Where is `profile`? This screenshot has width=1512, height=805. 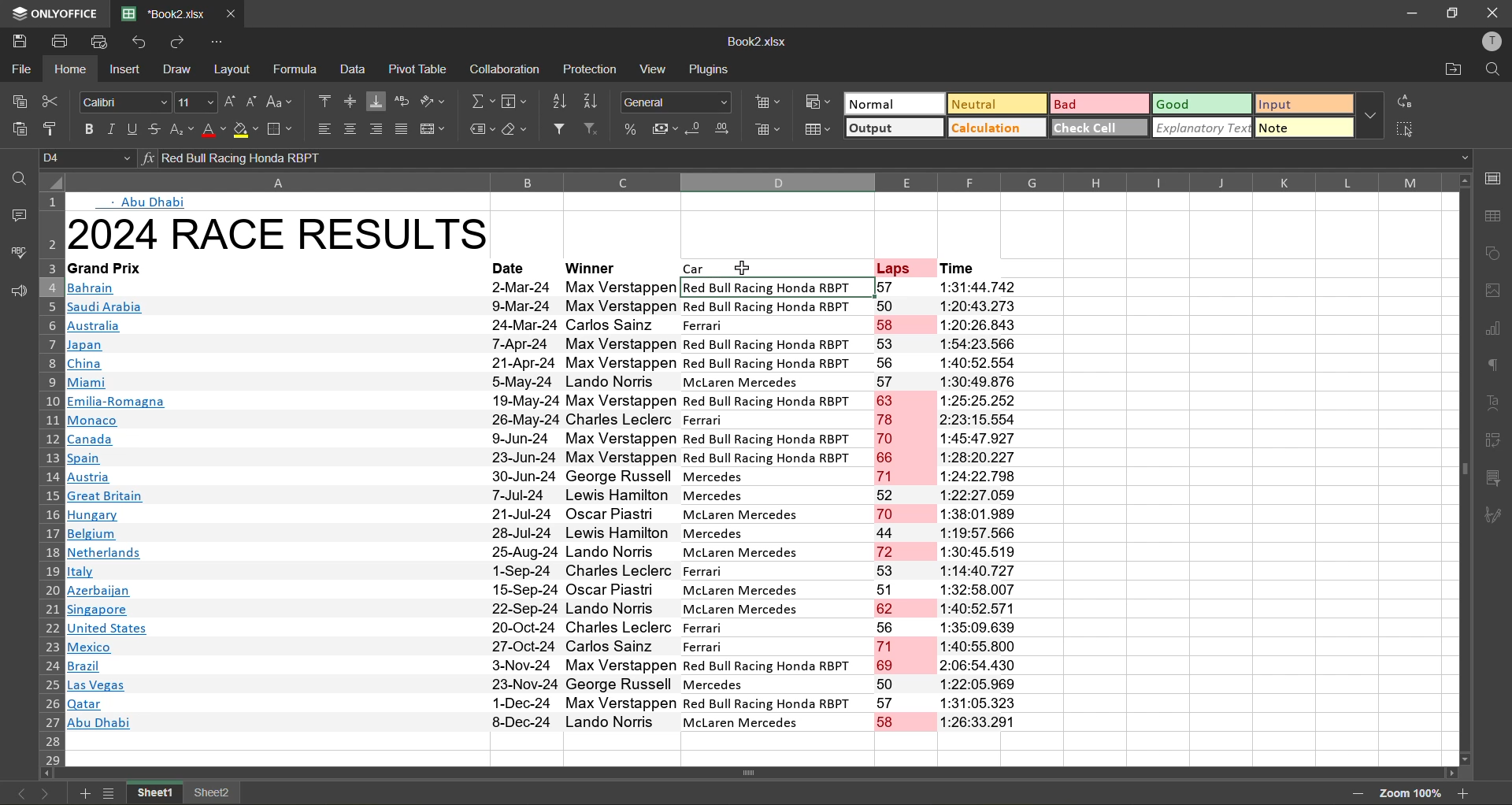 profile is located at coordinates (1492, 43).